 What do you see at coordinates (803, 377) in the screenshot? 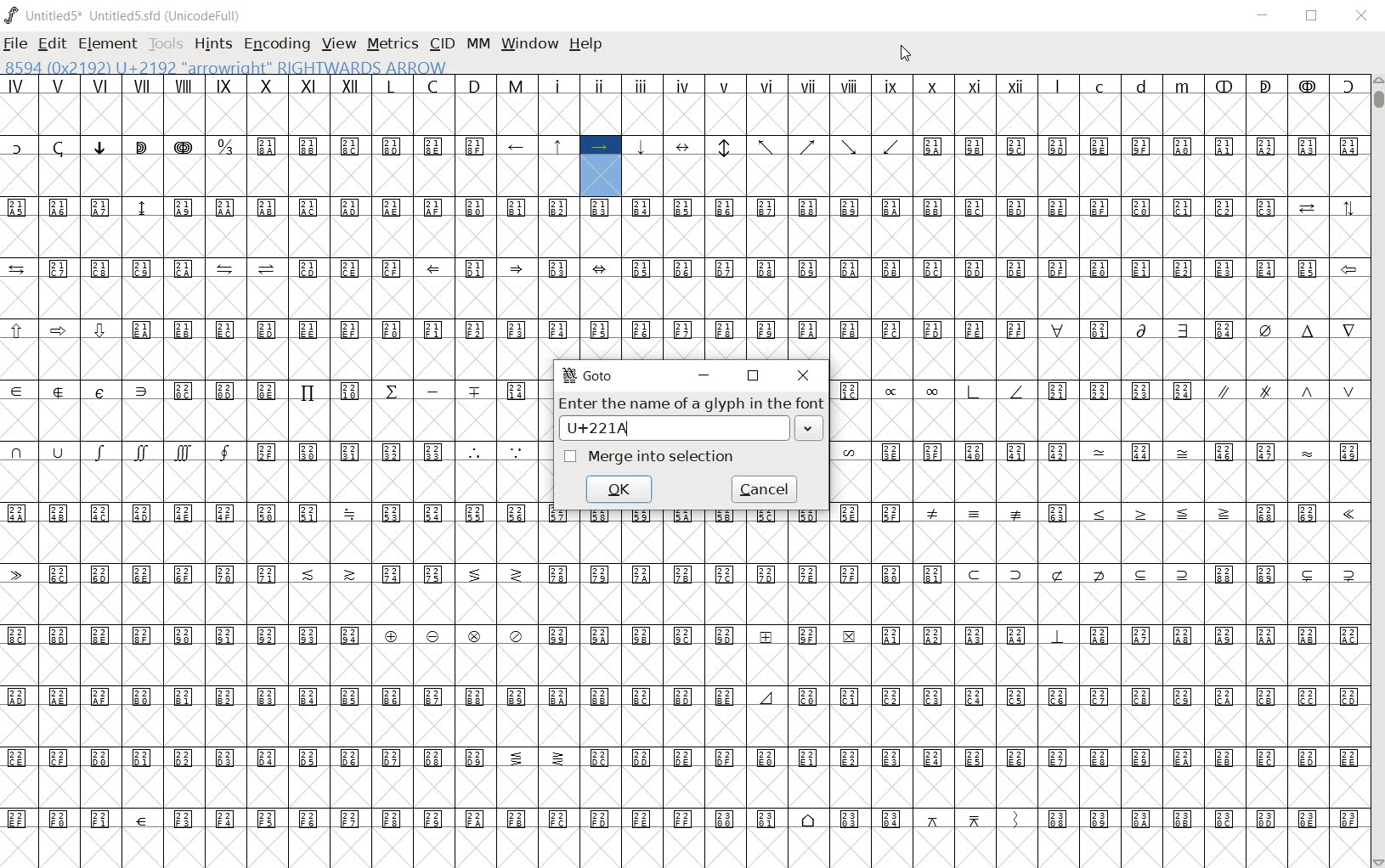
I see `close` at bounding box center [803, 377].